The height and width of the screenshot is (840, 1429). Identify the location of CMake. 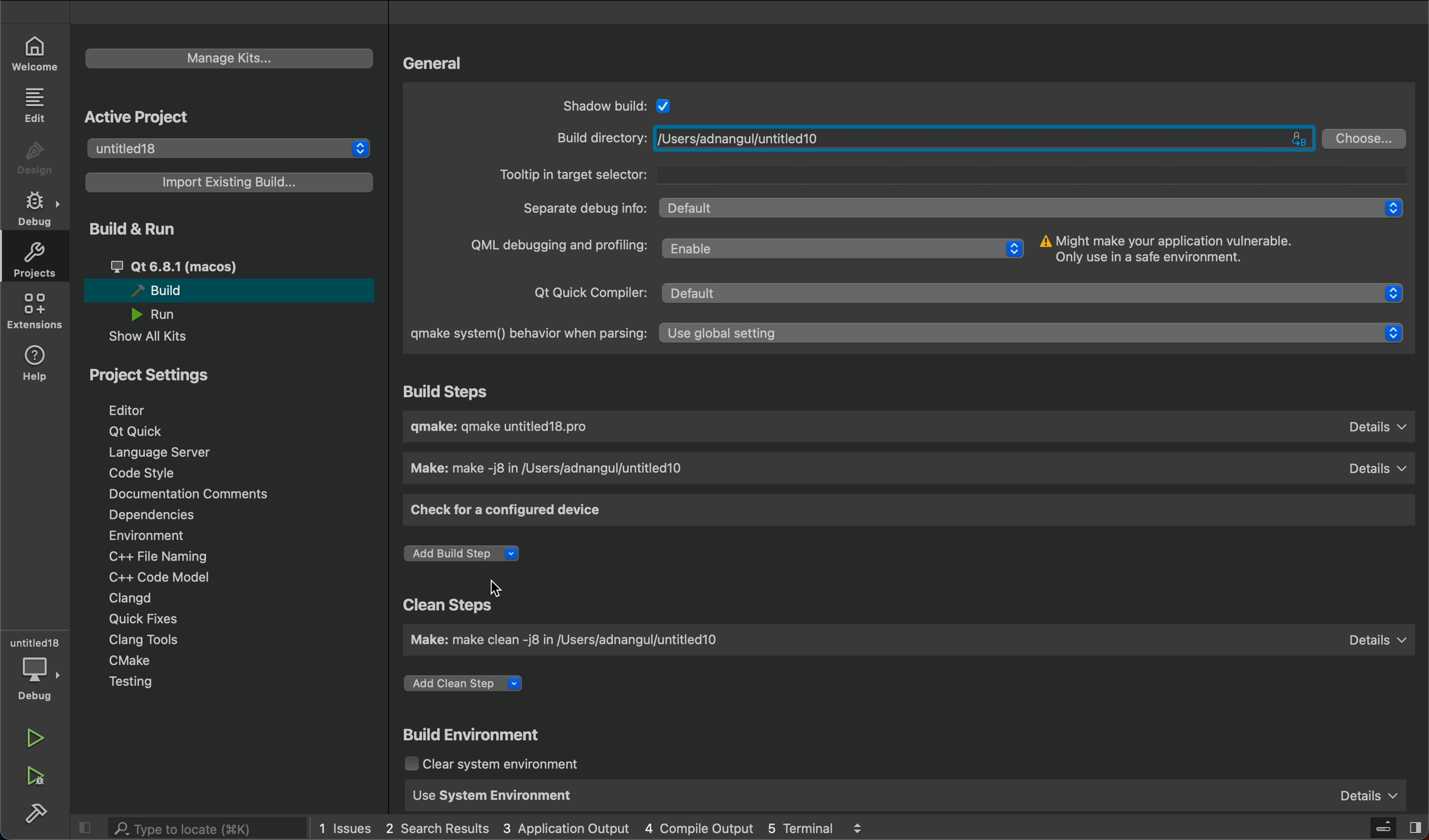
(128, 660).